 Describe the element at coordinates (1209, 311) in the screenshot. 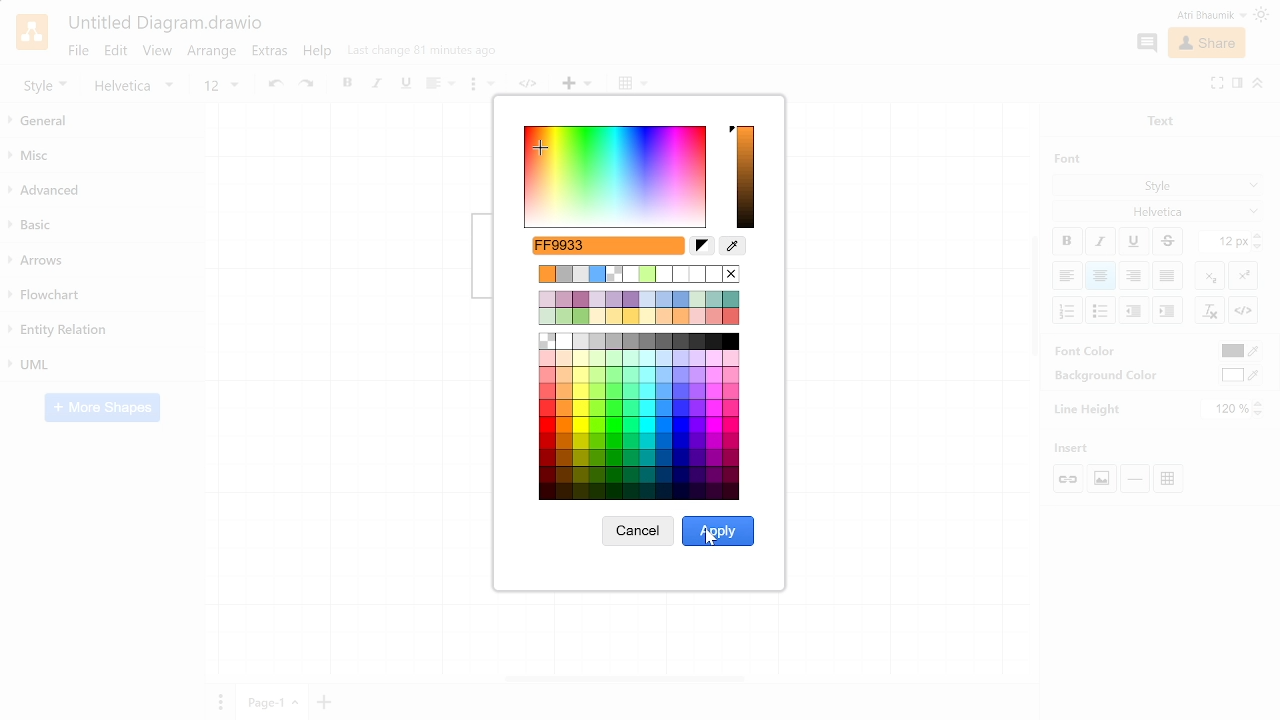

I see `CLear formatting` at that location.